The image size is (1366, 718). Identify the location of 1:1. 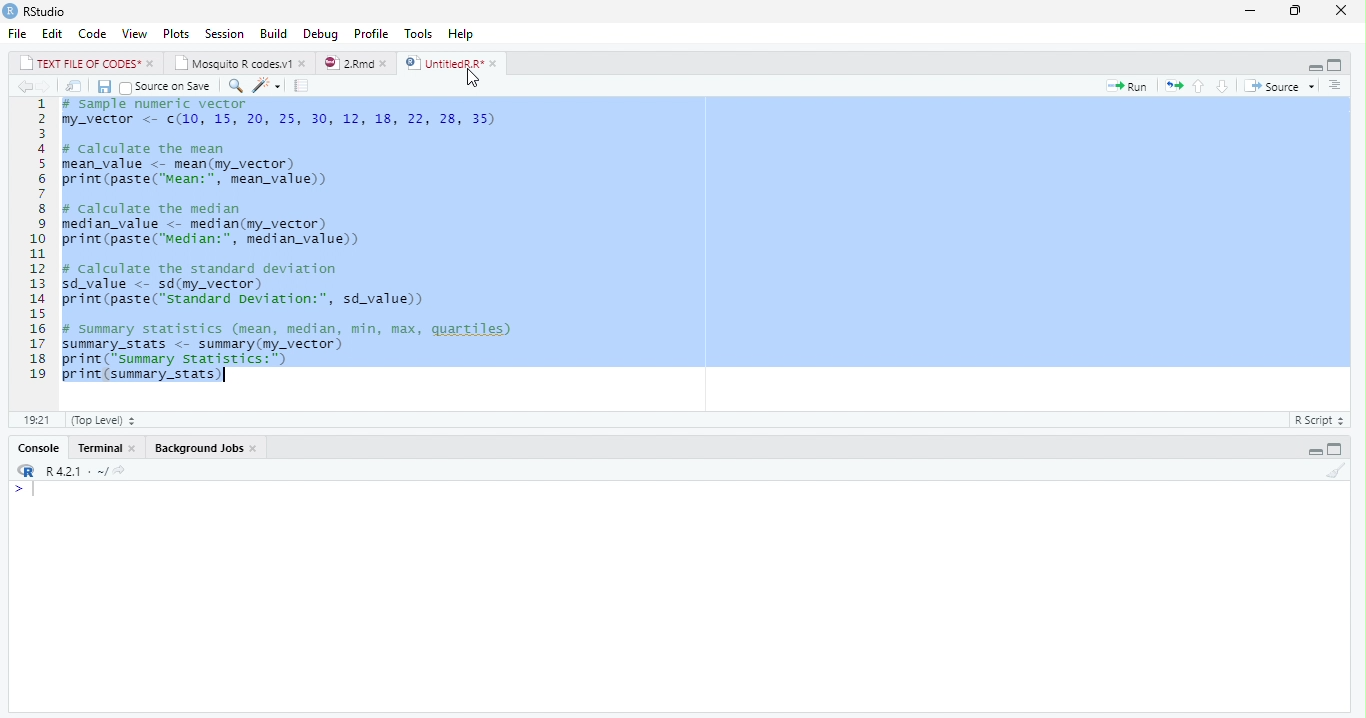
(35, 420).